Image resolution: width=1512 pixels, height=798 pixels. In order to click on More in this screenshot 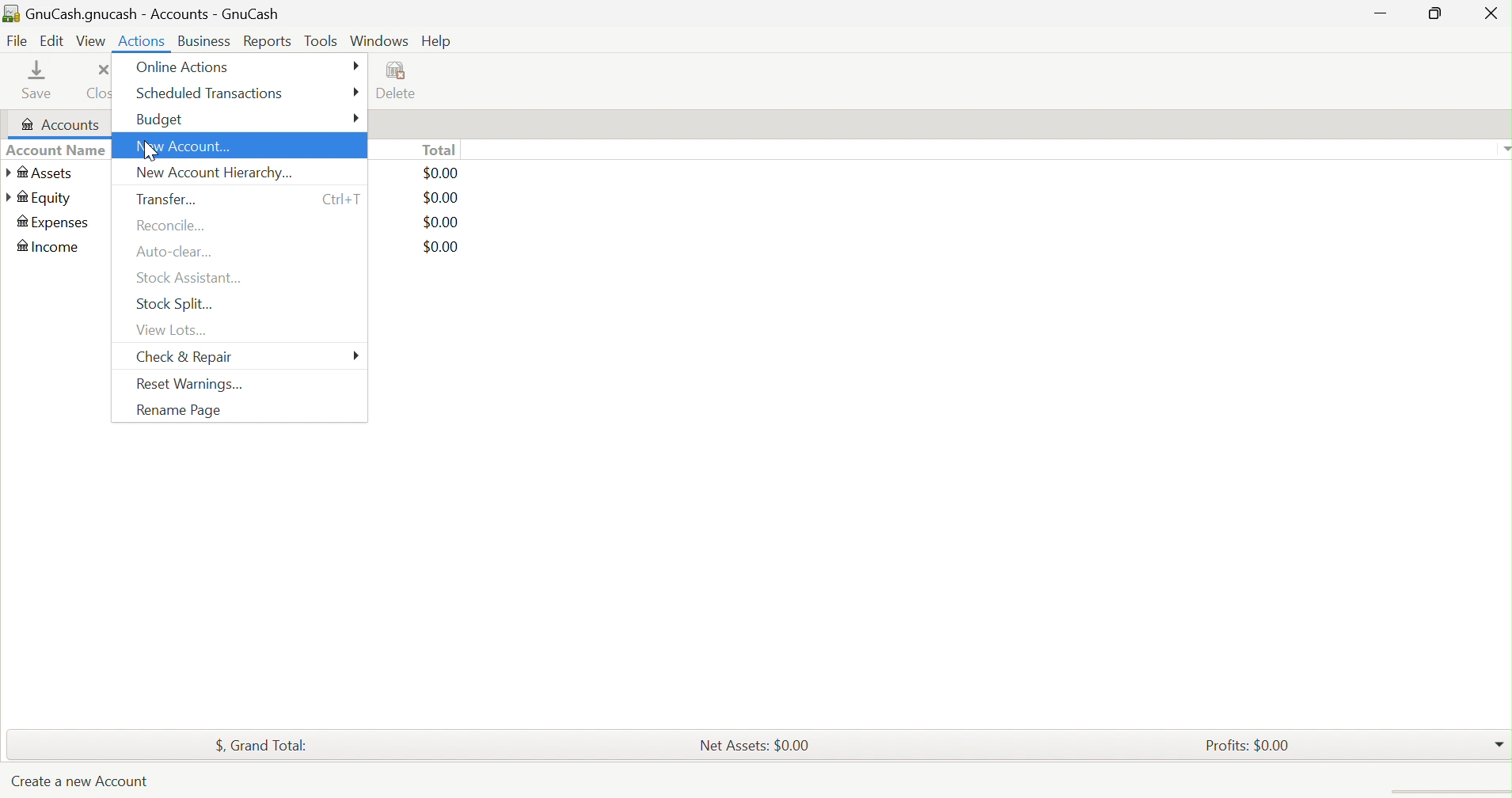, I will do `click(353, 93)`.